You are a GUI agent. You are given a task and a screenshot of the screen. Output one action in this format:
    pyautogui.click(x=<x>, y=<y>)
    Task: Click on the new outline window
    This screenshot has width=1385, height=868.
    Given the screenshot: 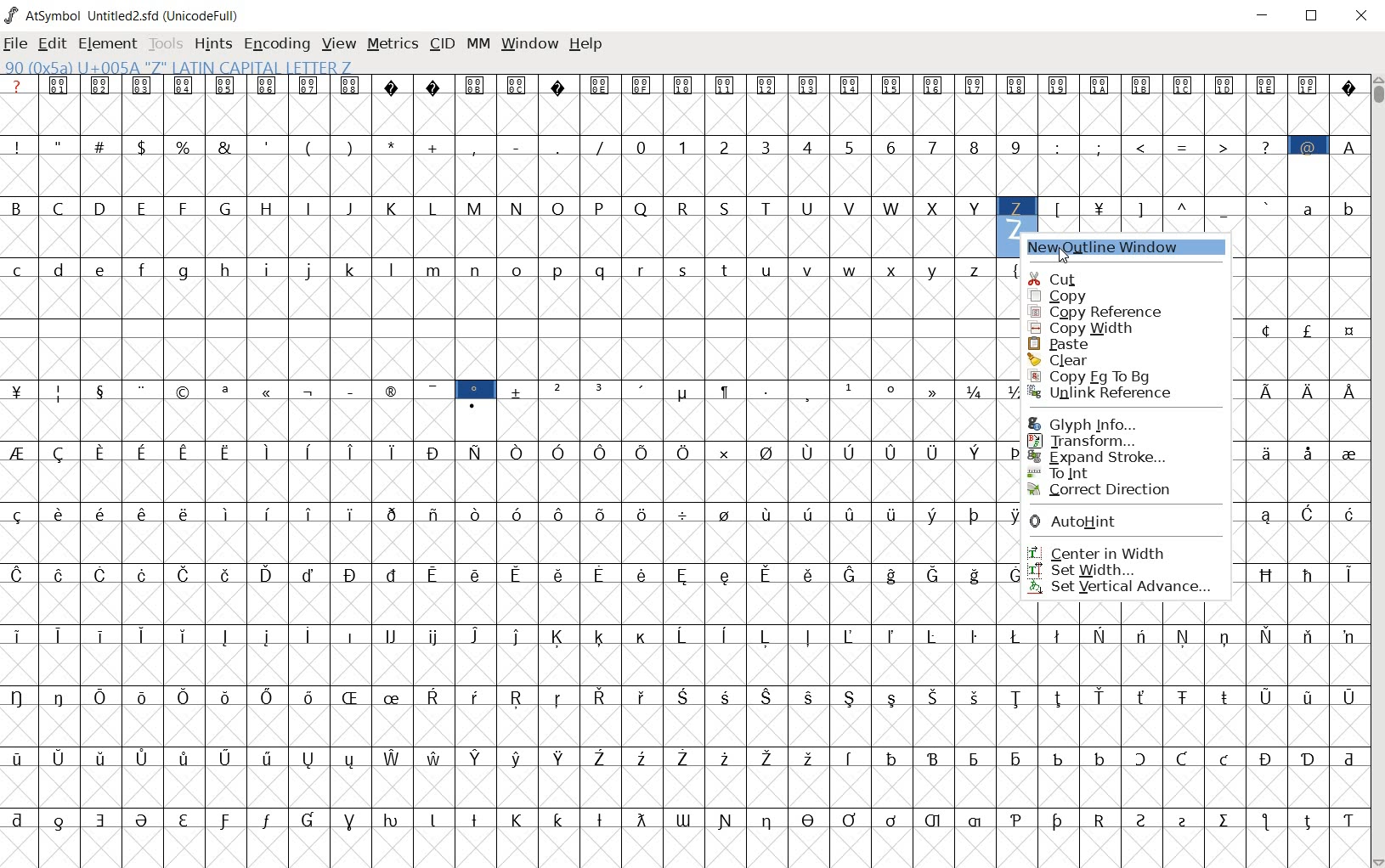 What is the action you would take?
    pyautogui.click(x=1112, y=249)
    